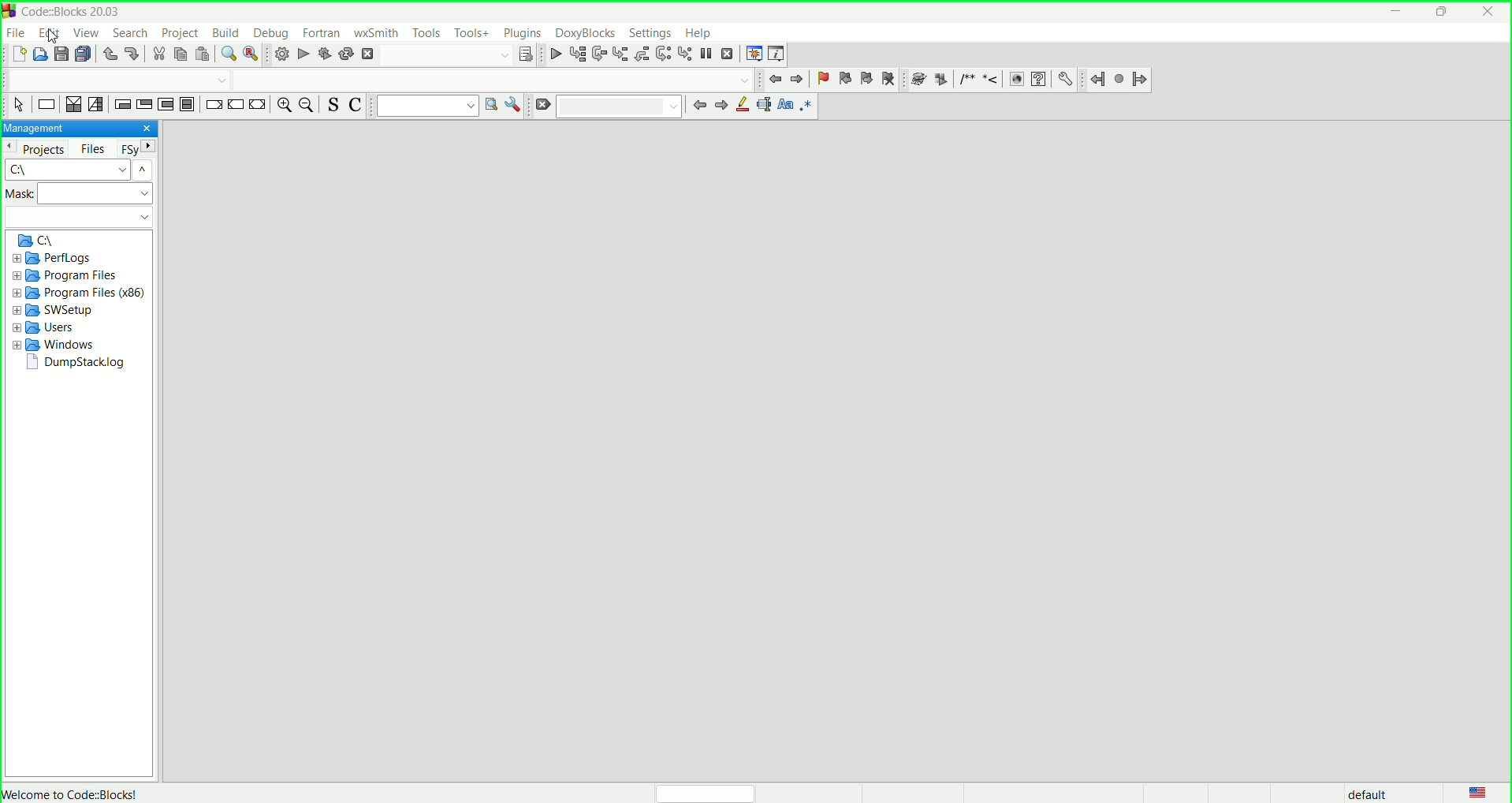 This screenshot has height=803, width=1512. What do you see at coordinates (557, 54) in the screenshot?
I see `debug` at bounding box center [557, 54].